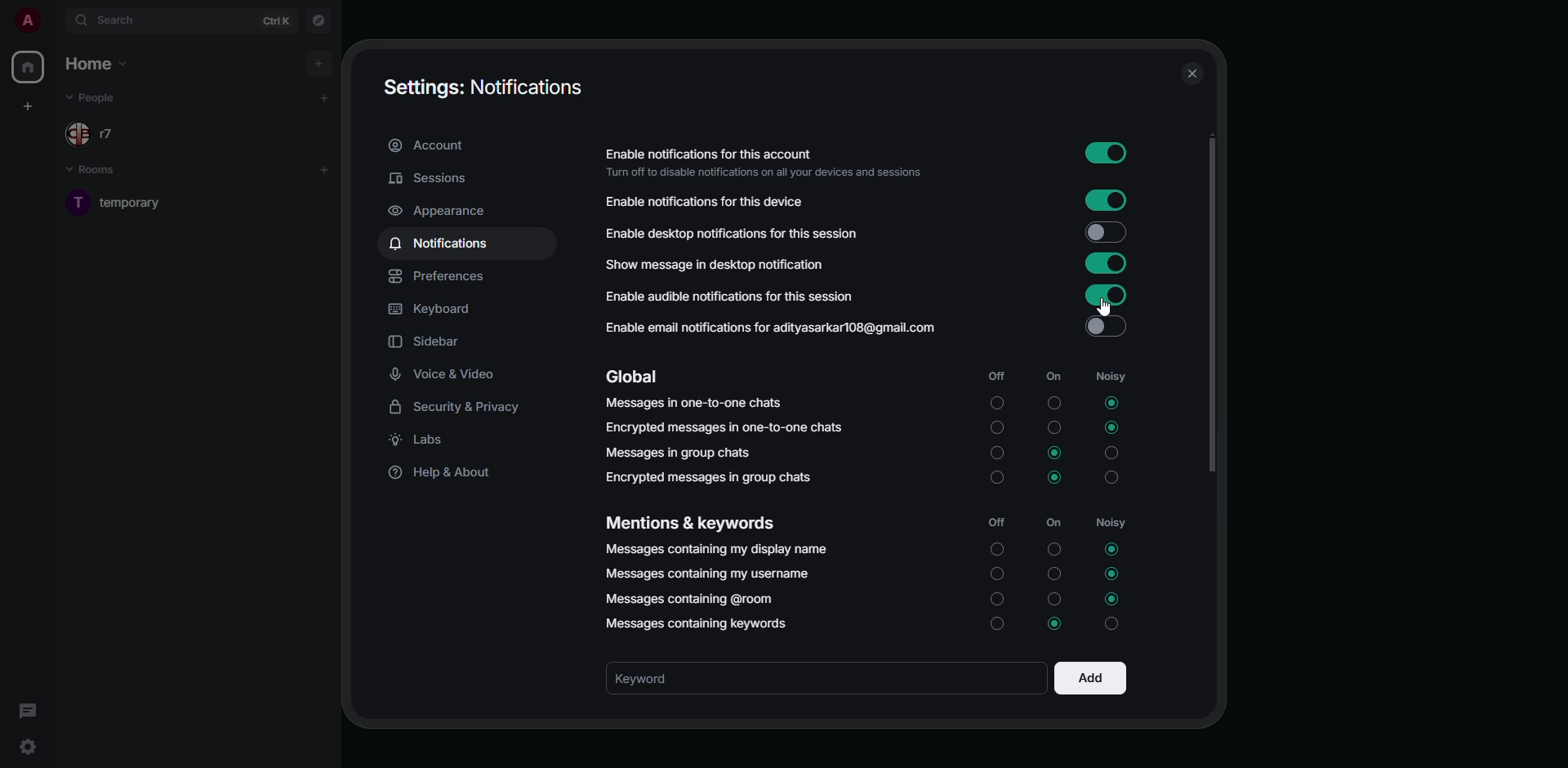 This screenshot has width=1568, height=768. I want to click on click to enable, so click(1106, 327).